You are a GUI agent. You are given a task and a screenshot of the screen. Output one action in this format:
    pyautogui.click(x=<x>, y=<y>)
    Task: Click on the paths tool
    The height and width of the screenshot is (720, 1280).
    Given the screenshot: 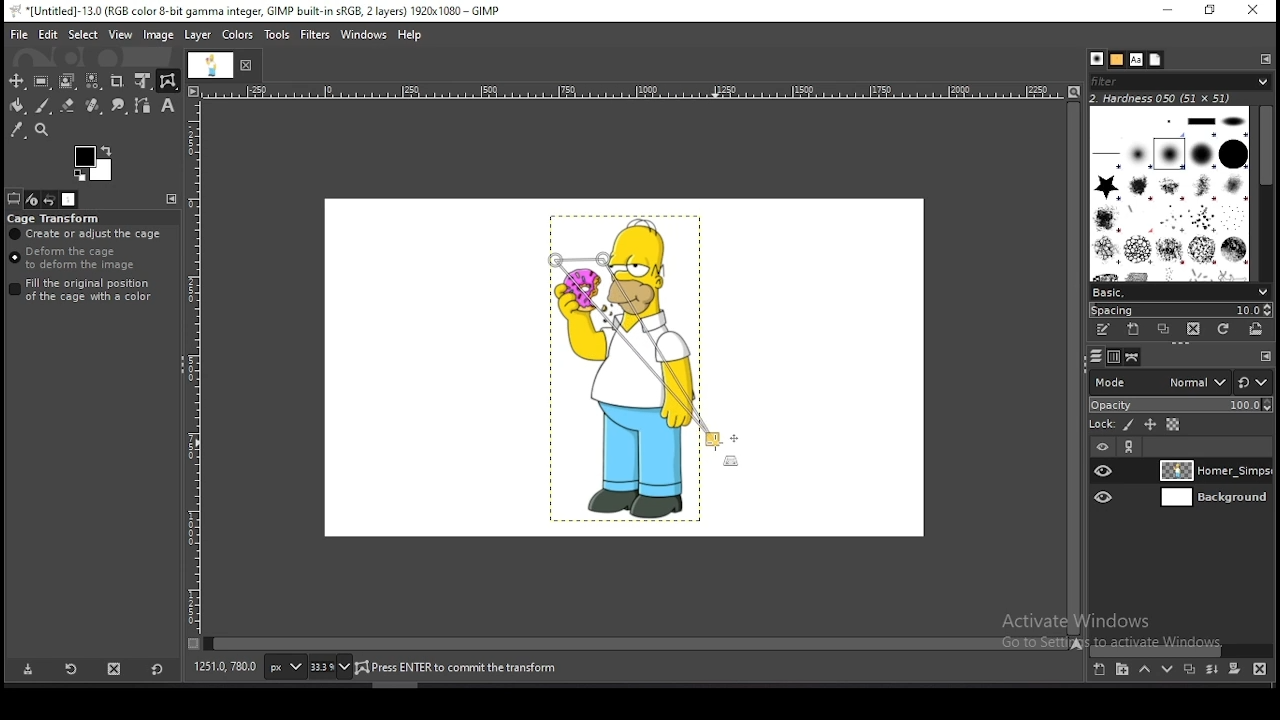 What is the action you would take?
    pyautogui.click(x=142, y=105)
    